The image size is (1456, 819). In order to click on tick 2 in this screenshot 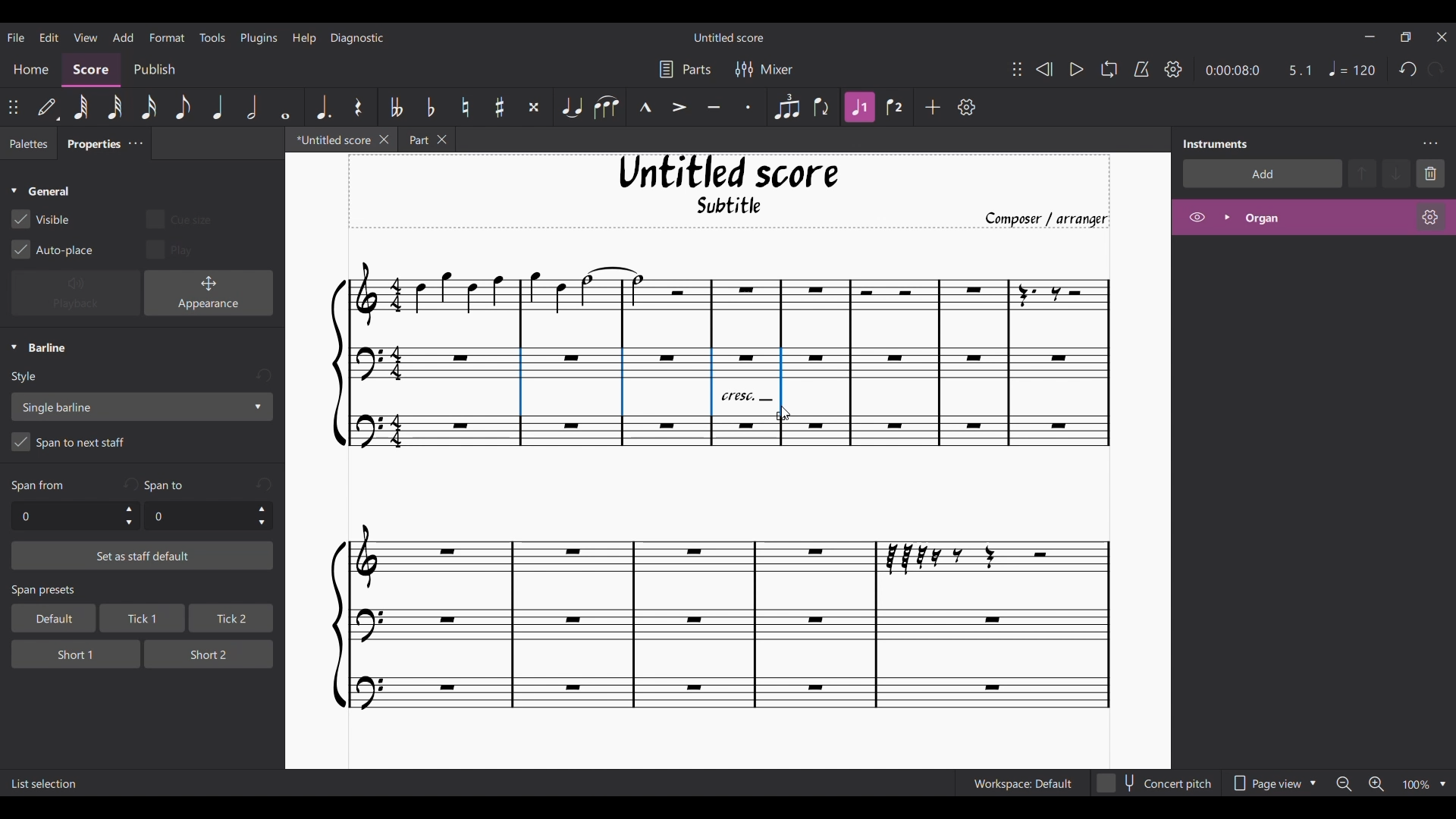, I will do `click(230, 619)`.